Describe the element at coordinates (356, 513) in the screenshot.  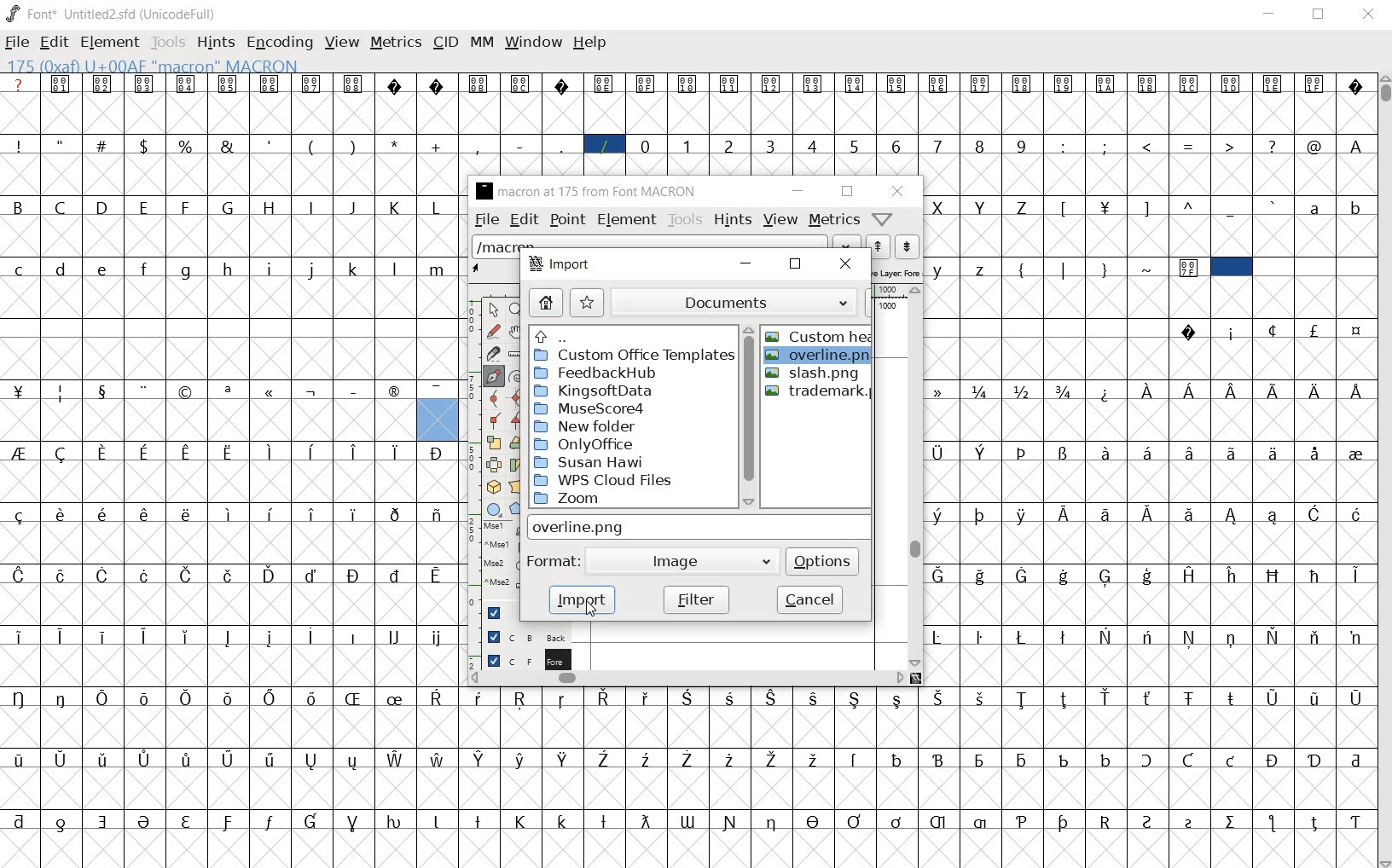
I see `Symbol` at that location.